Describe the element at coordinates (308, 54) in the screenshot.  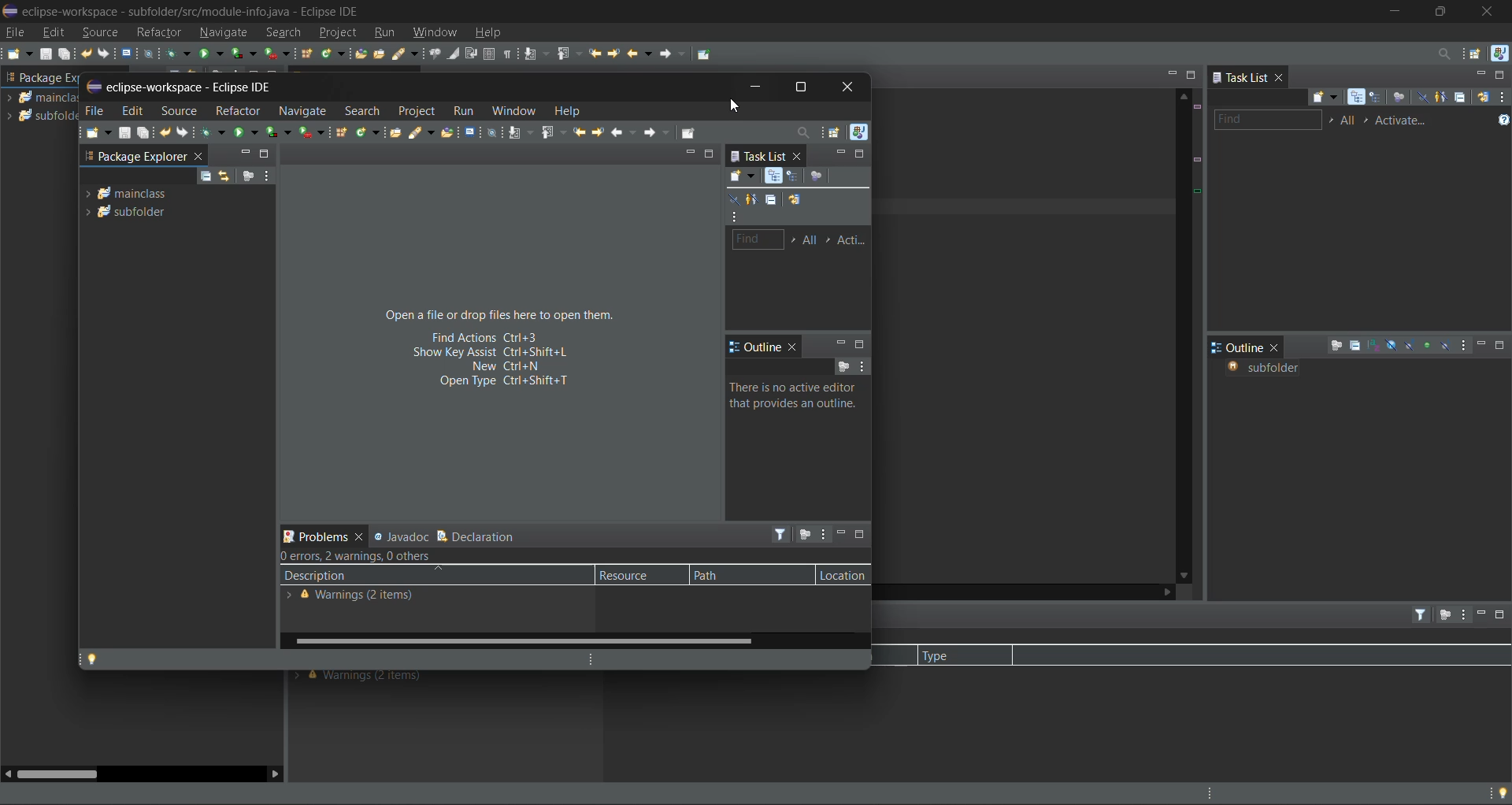
I see `new java package` at that location.